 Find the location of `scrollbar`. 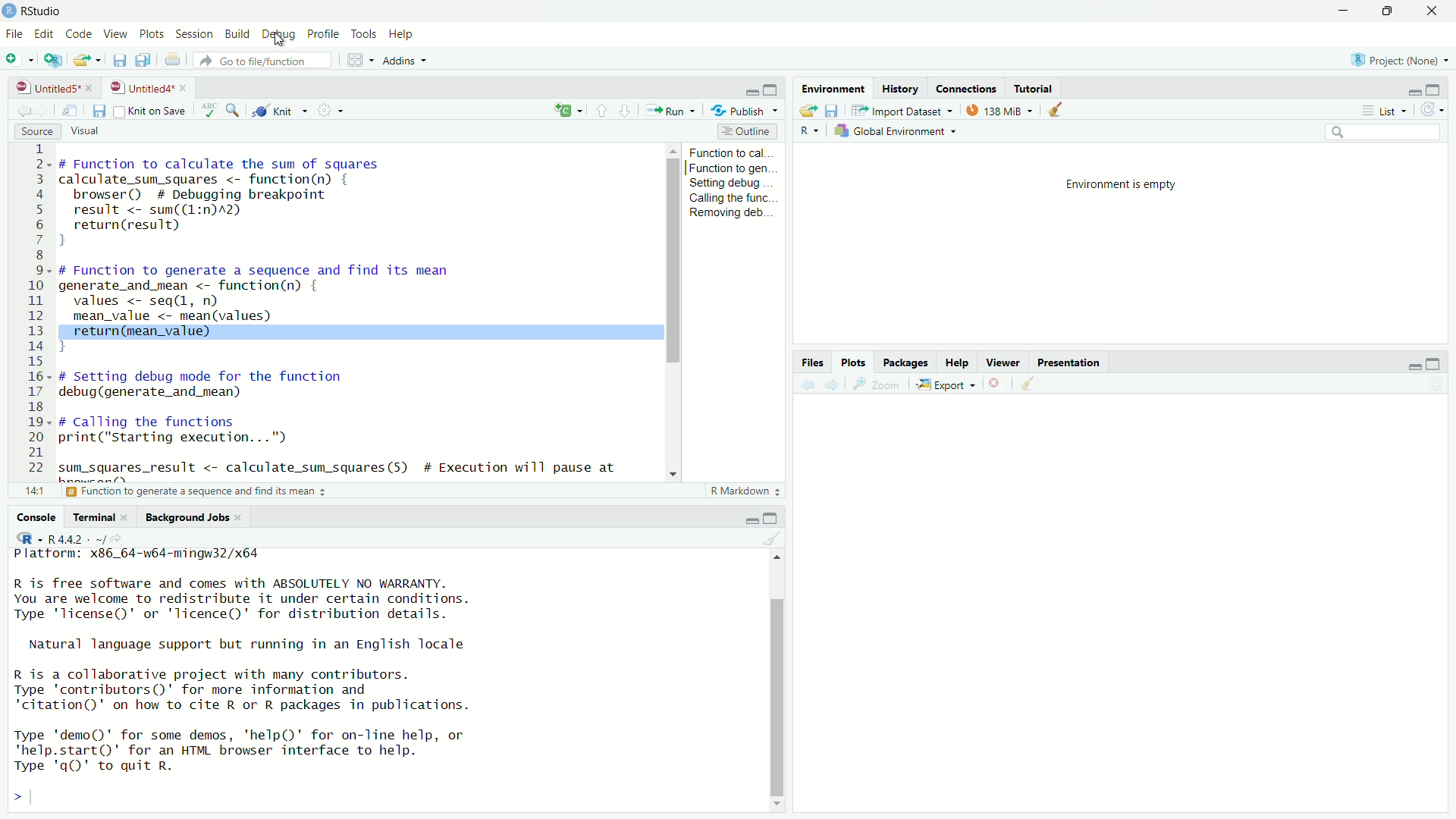

scrollbar is located at coordinates (672, 310).